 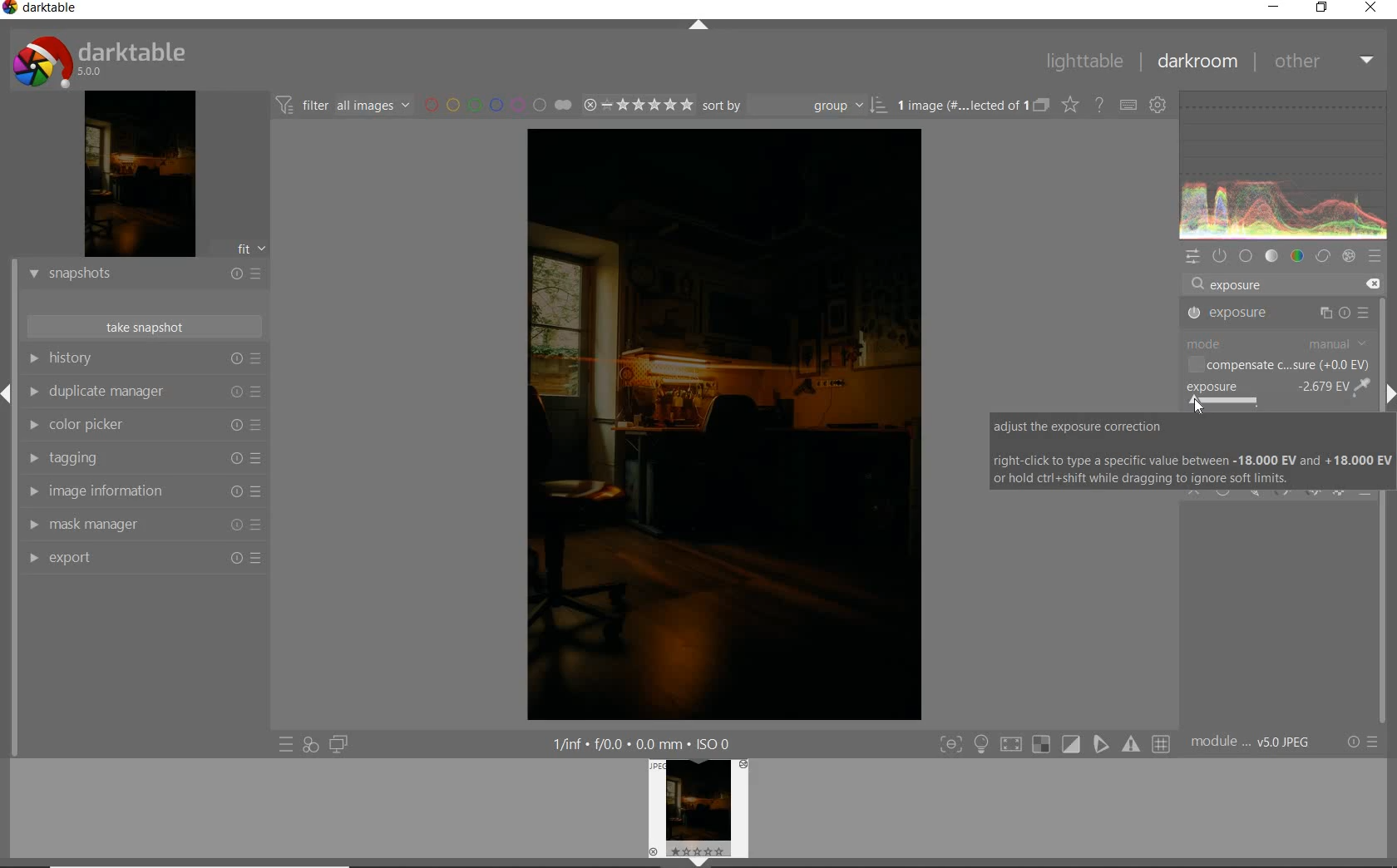 I want to click on exposure, so click(x=1234, y=283).